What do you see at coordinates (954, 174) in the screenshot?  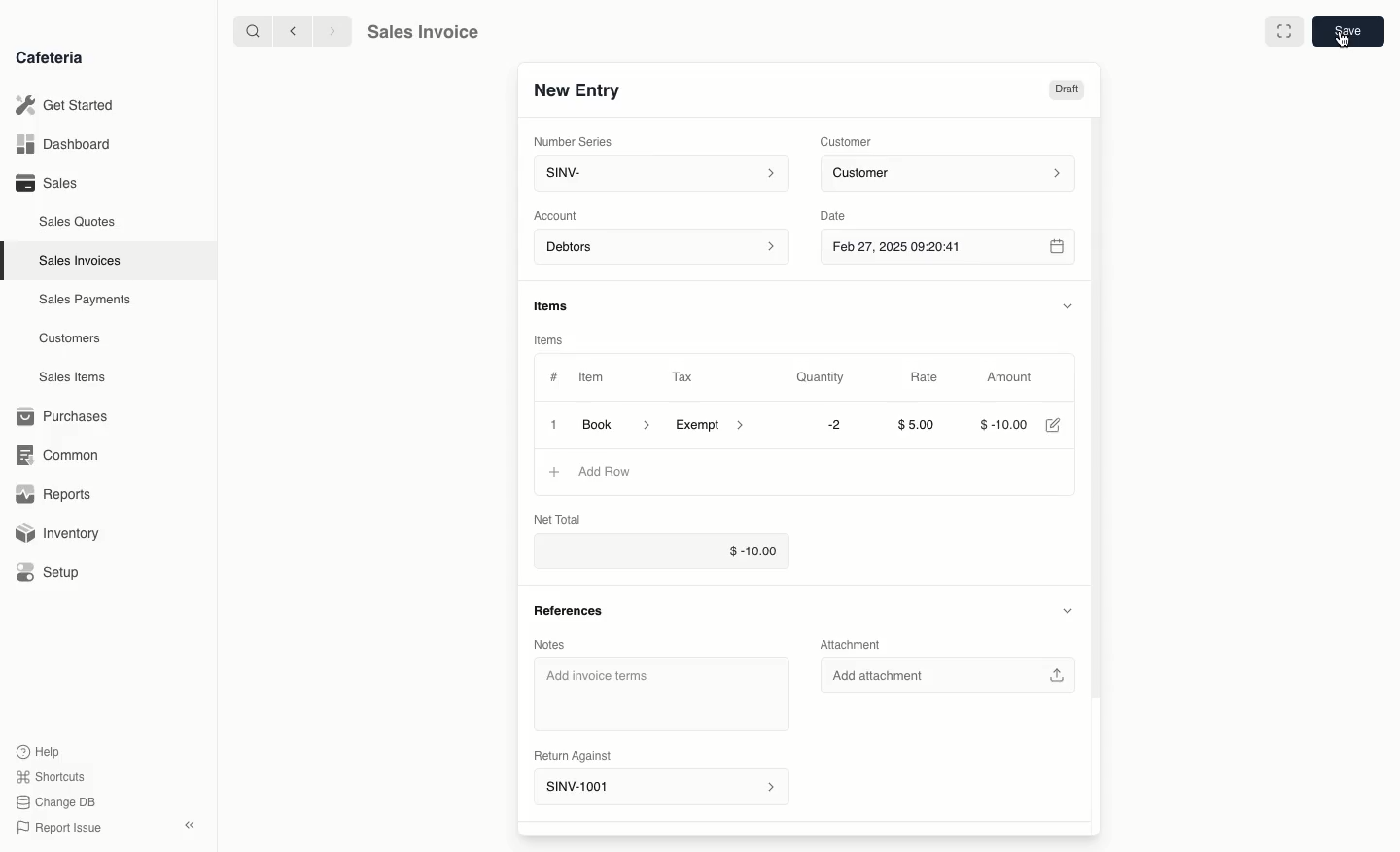 I see `Customer` at bounding box center [954, 174].